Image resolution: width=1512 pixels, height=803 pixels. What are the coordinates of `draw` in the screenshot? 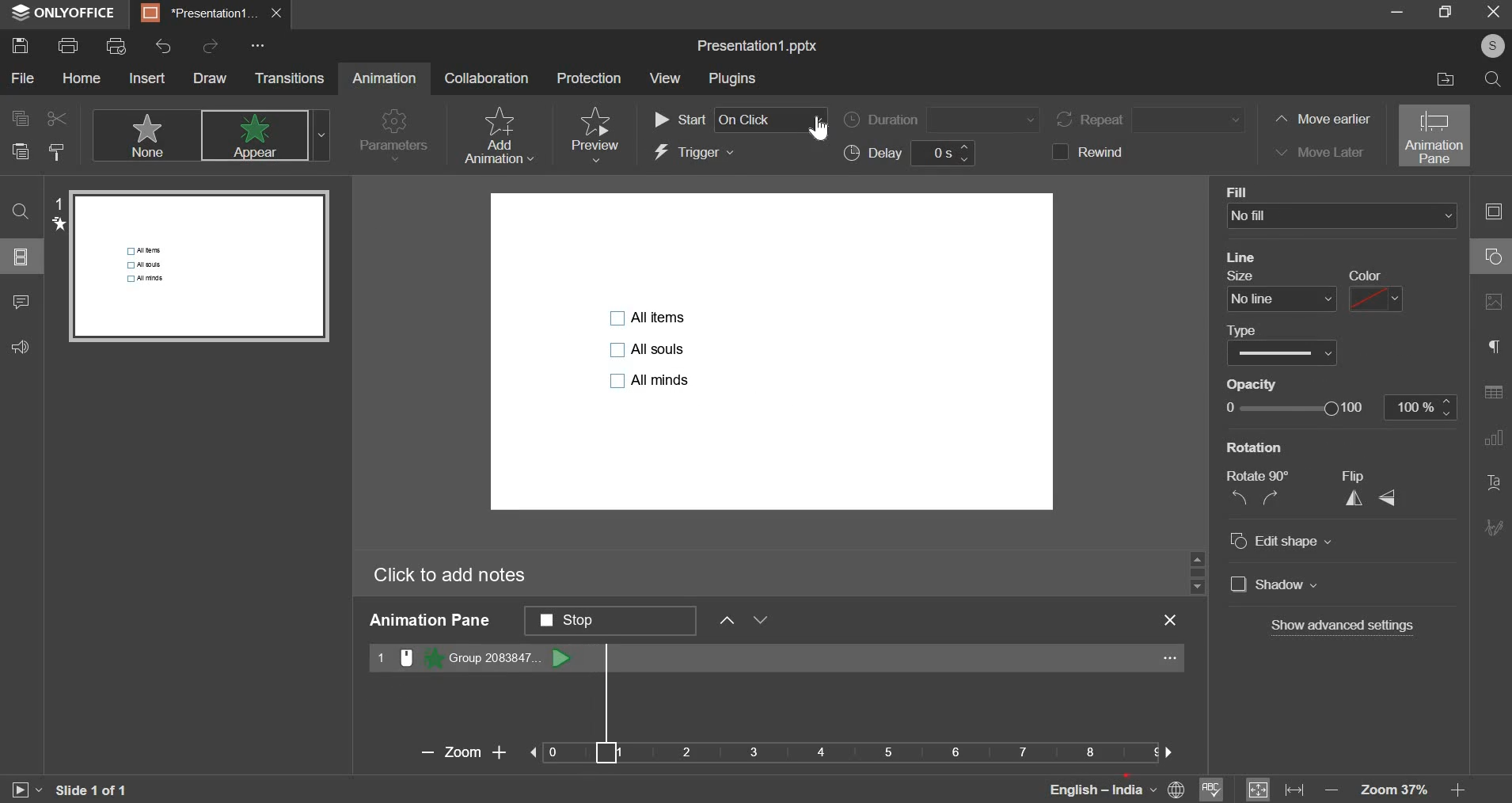 It's located at (210, 78).